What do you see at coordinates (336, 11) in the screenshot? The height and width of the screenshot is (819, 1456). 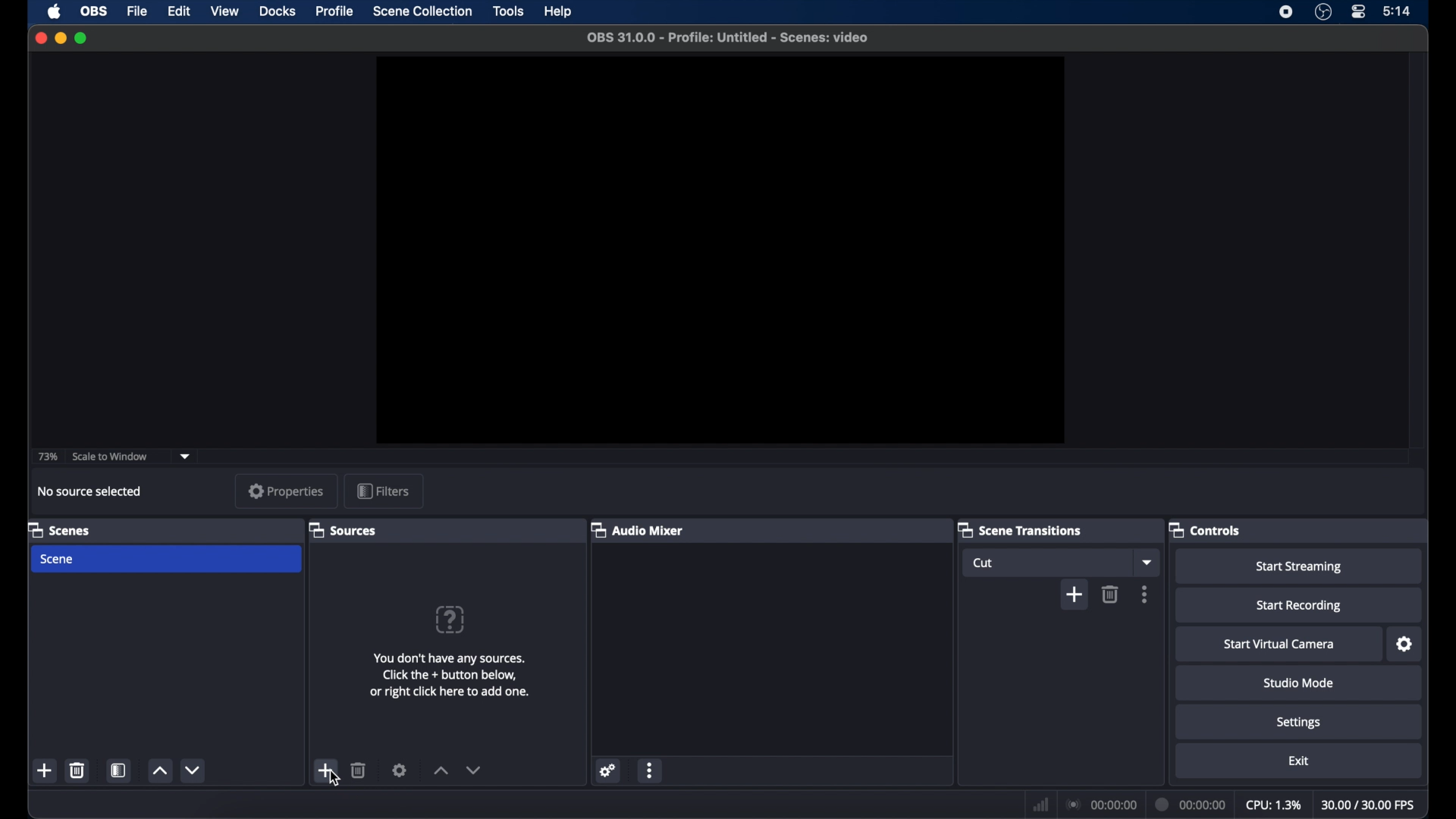 I see `profile` at bounding box center [336, 11].